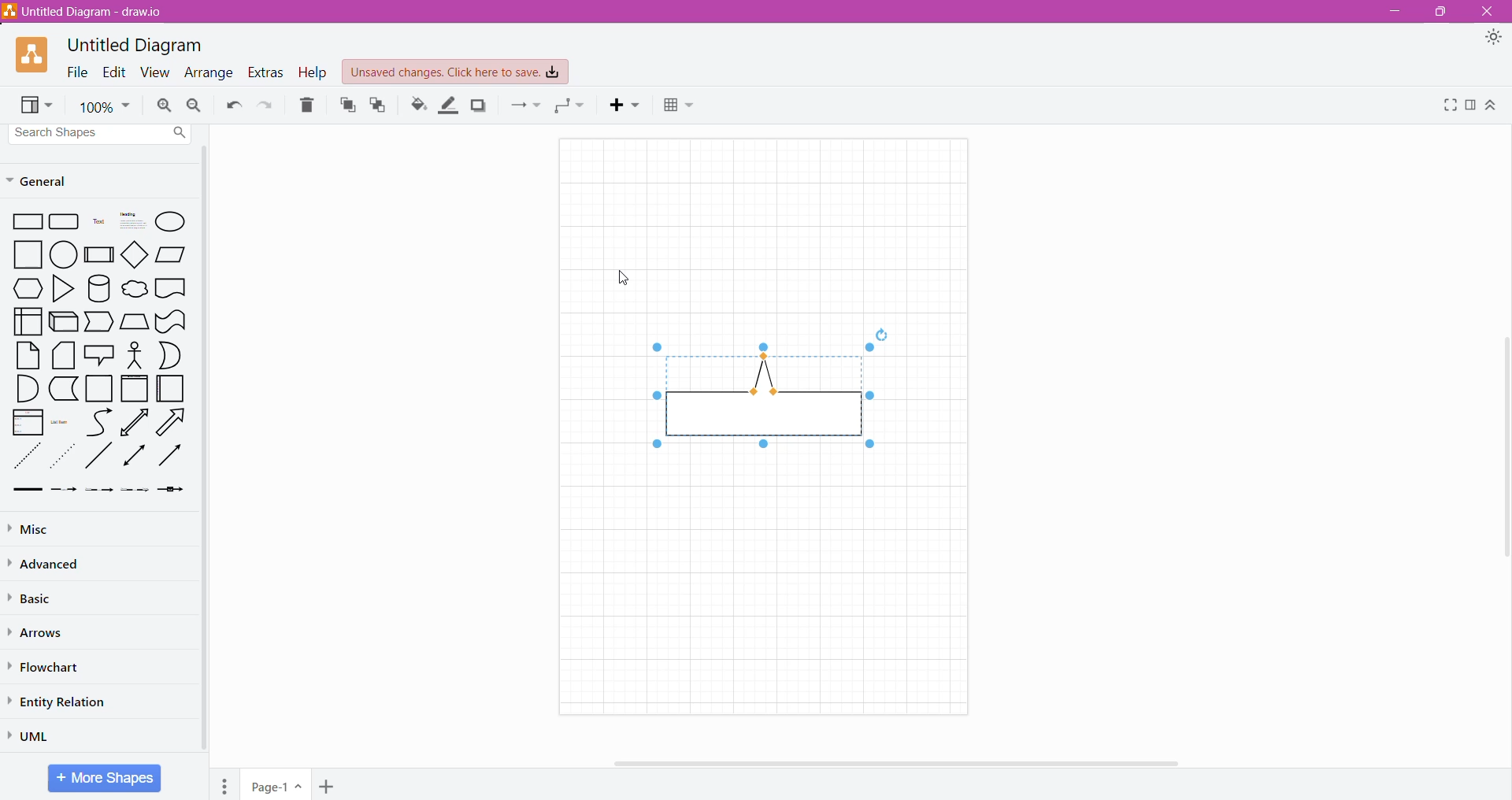 This screenshot has height=800, width=1512. Describe the element at coordinates (313, 72) in the screenshot. I see `Help` at that location.